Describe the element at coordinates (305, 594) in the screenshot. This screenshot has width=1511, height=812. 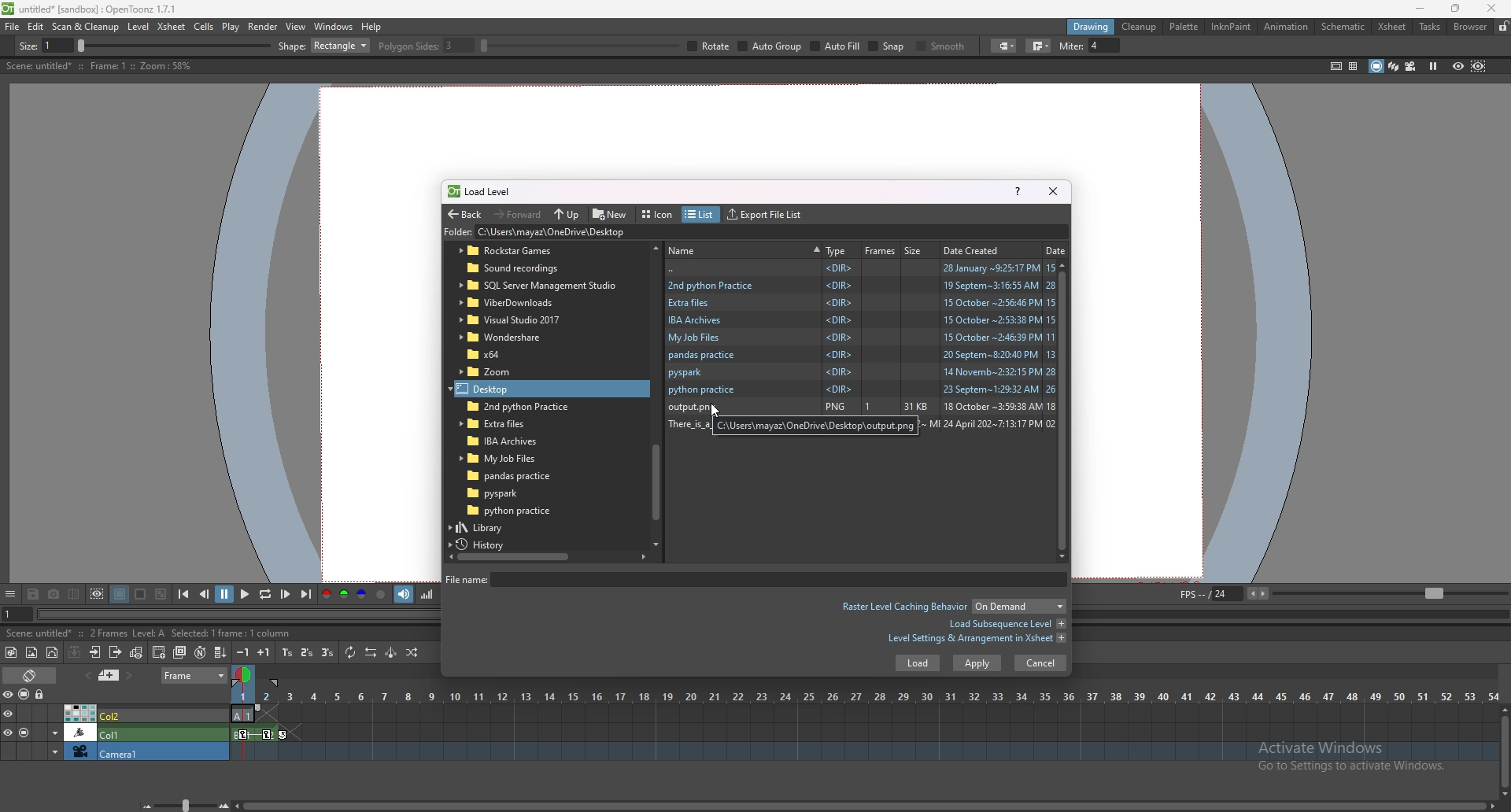
I see `last frame` at that location.